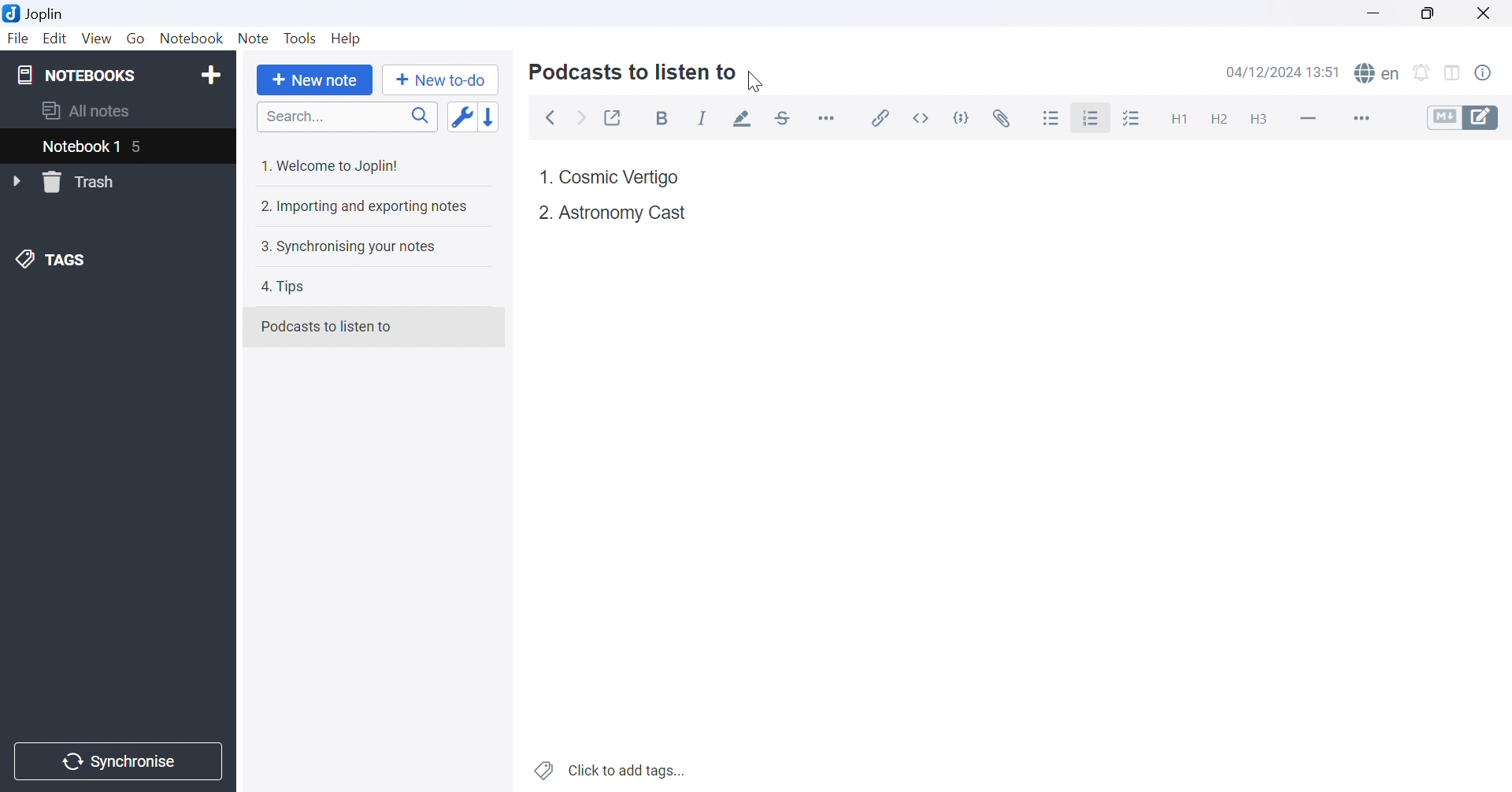 This screenshot has width=1512, height=792. I want to click on Edit, so click(56, 39).